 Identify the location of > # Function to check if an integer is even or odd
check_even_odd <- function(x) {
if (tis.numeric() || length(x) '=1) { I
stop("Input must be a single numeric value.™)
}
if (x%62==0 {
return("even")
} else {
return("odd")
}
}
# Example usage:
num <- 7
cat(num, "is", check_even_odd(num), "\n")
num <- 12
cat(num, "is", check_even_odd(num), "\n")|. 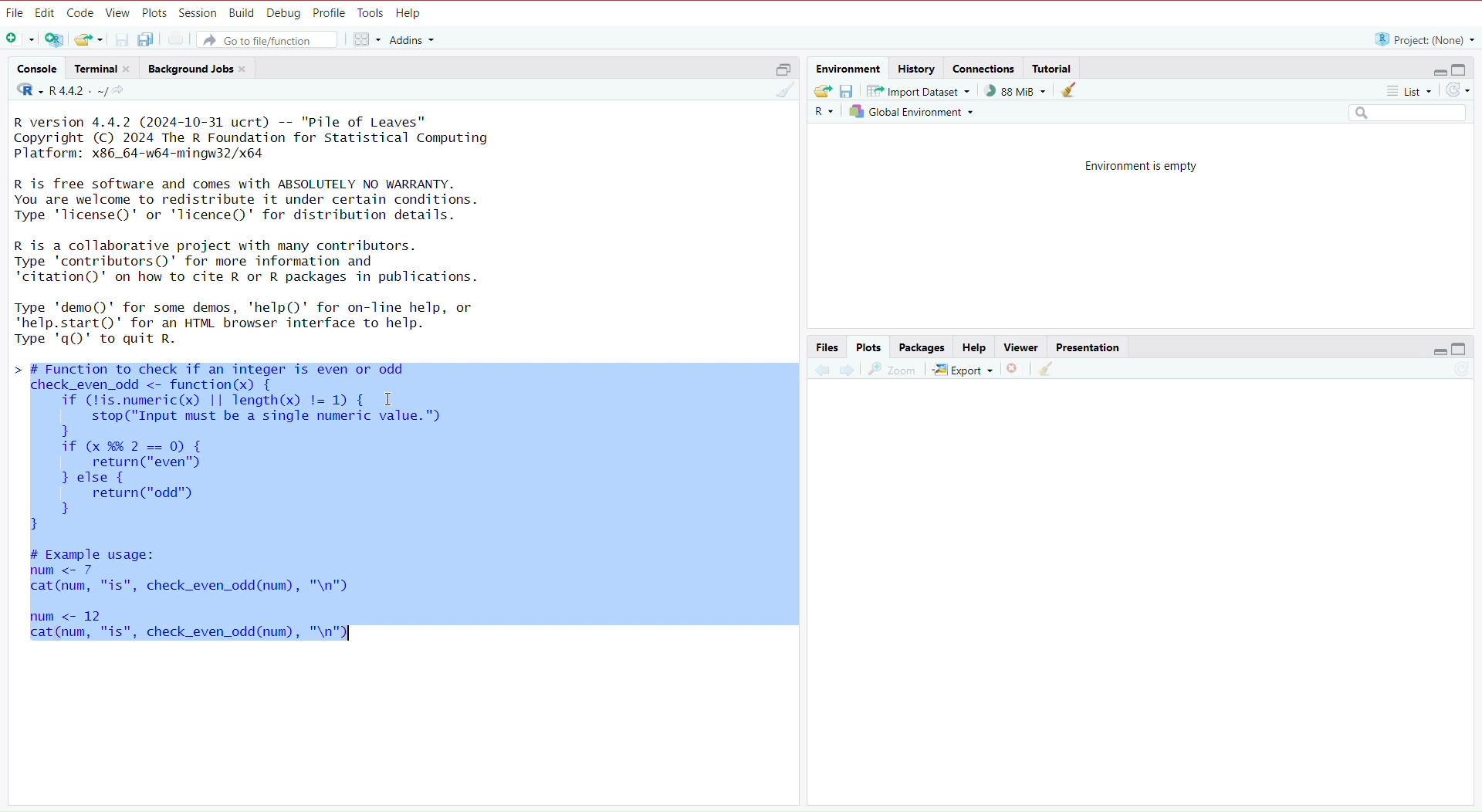
(272, 509).